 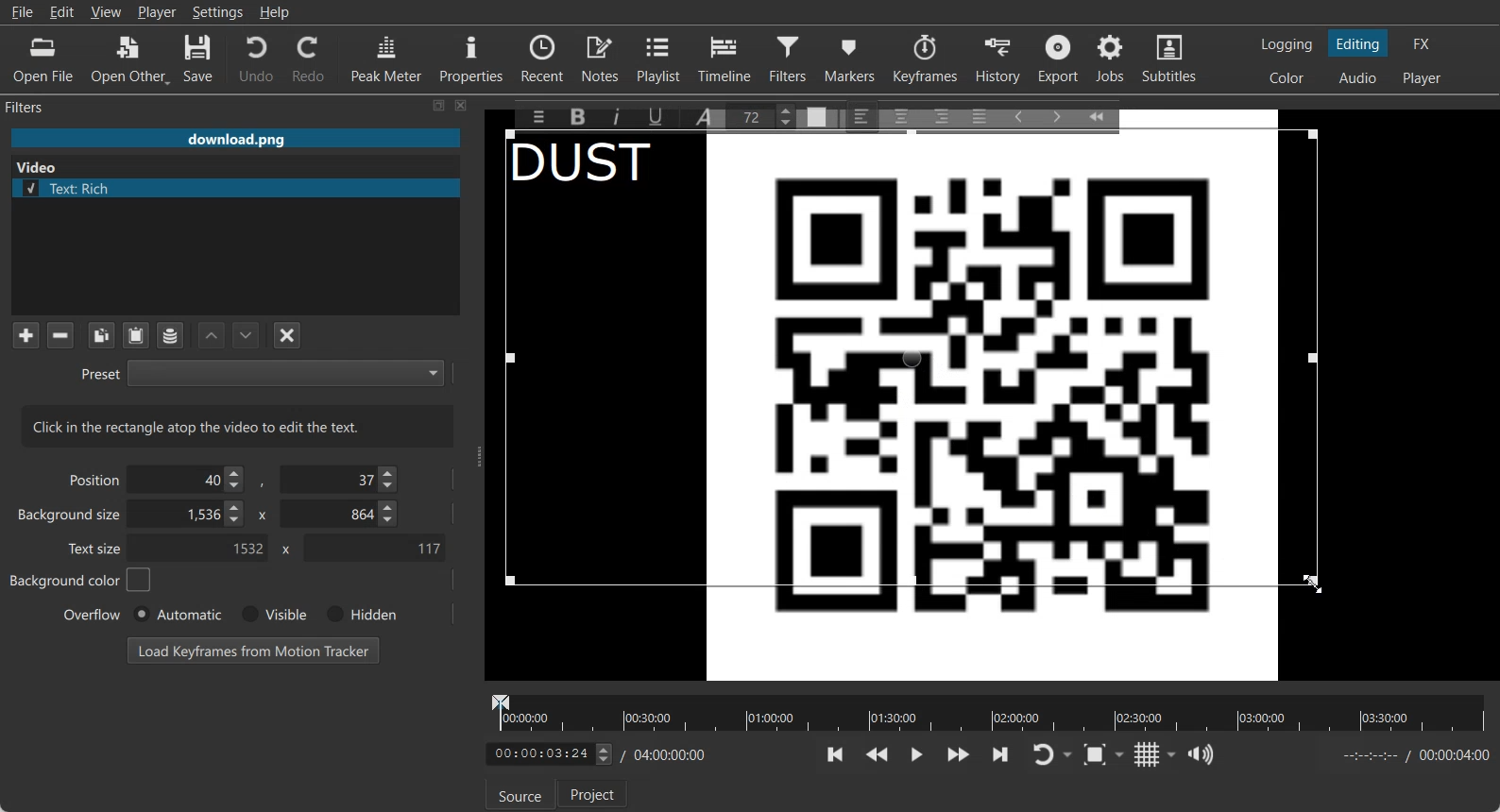 What do you see at coordinates (594, 793) in the screenshot?
I see `Project` at bounding box center [594, 793].